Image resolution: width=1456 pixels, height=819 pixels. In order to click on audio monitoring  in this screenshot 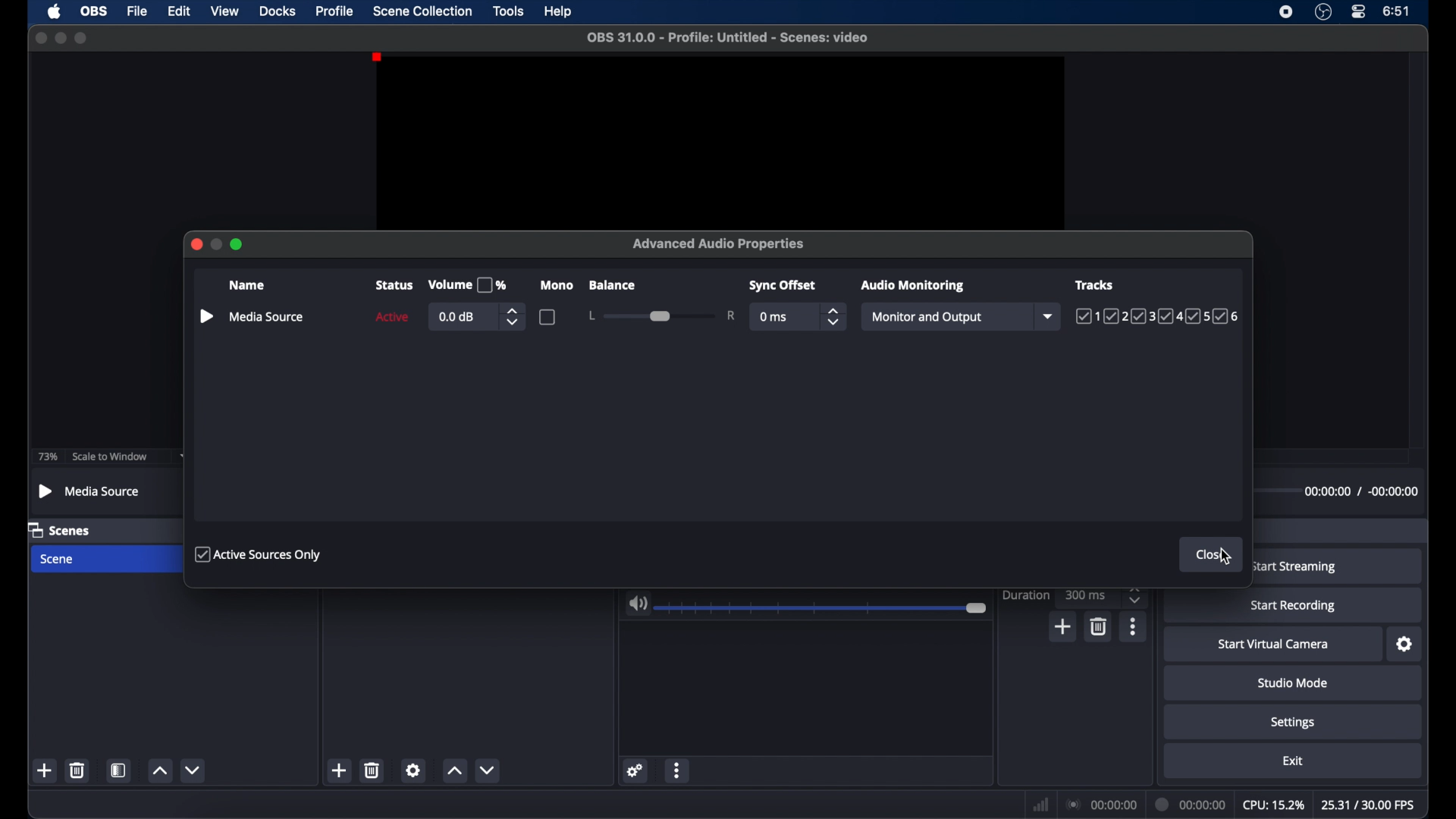, I will do `click(913, 286)`.